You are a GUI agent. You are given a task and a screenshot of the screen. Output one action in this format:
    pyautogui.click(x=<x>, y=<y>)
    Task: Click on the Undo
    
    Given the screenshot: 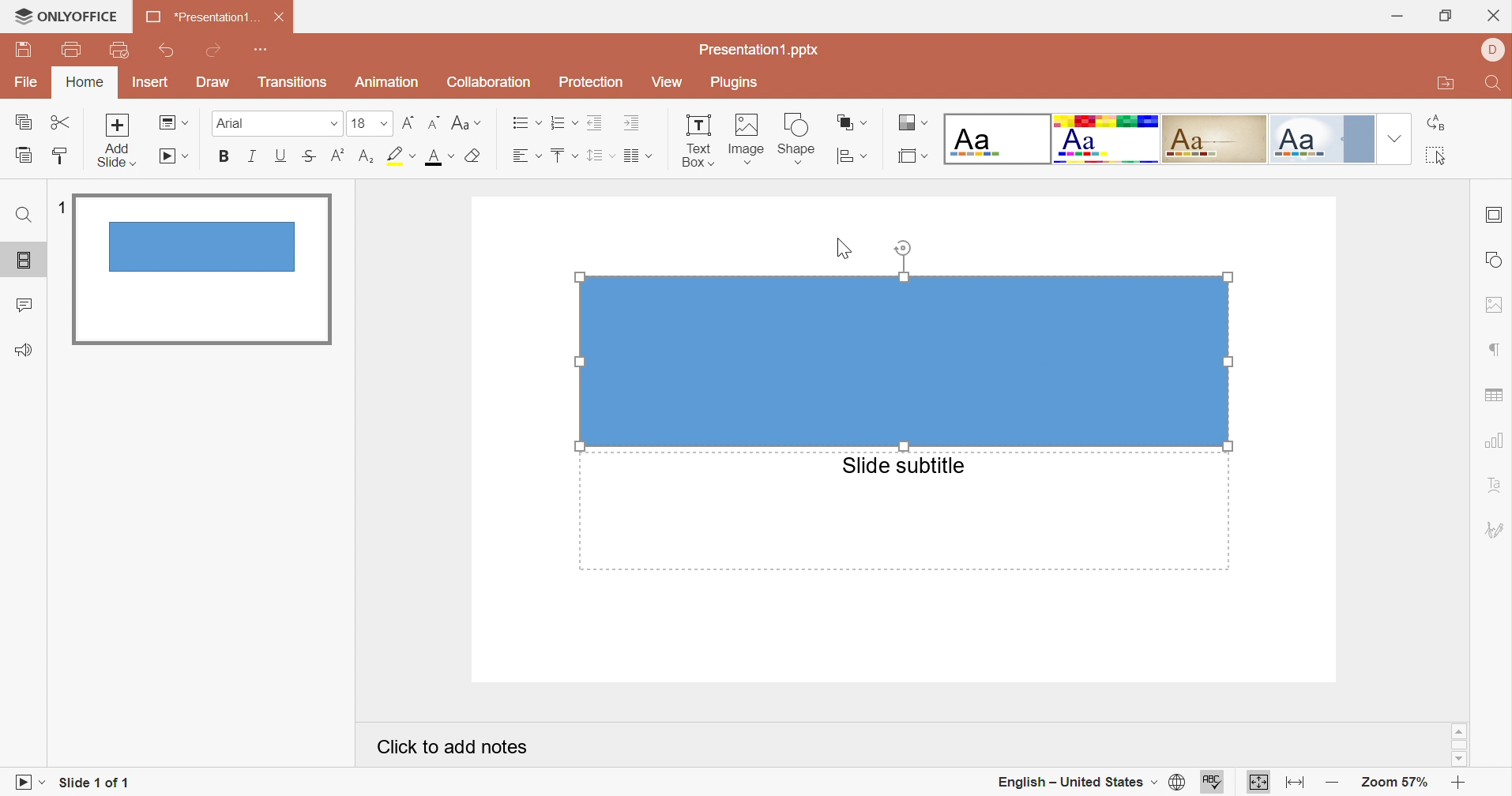 What is the action you would take?
    pyautogui.click(x=168, y=51)
    